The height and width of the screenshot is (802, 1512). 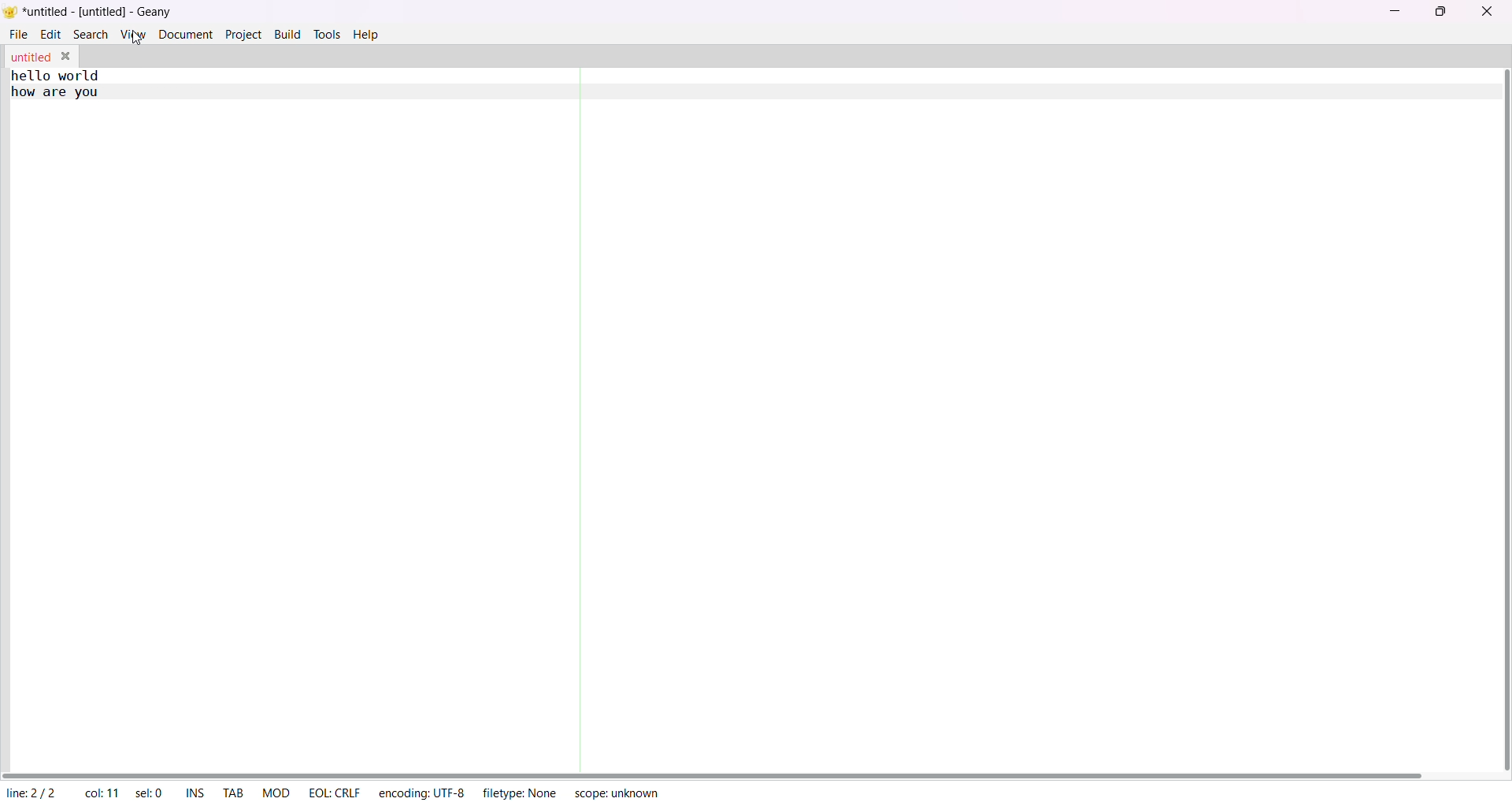 I want to click on cursor, so click(x=135, y=41).